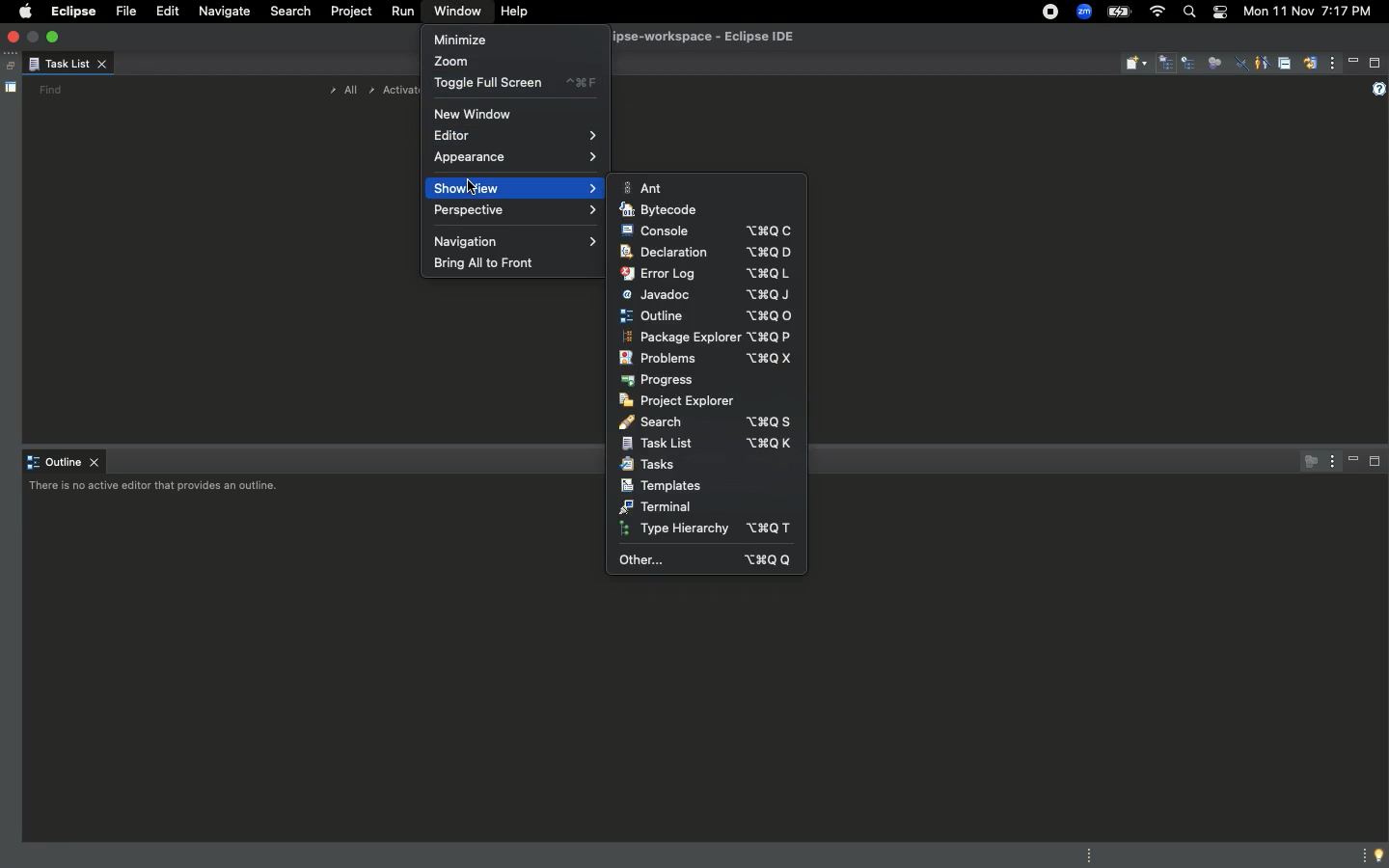 Image resolution: width=1389 pixels, height=868 pixels. I want to click on Toggle full screen, so click(514, 85).